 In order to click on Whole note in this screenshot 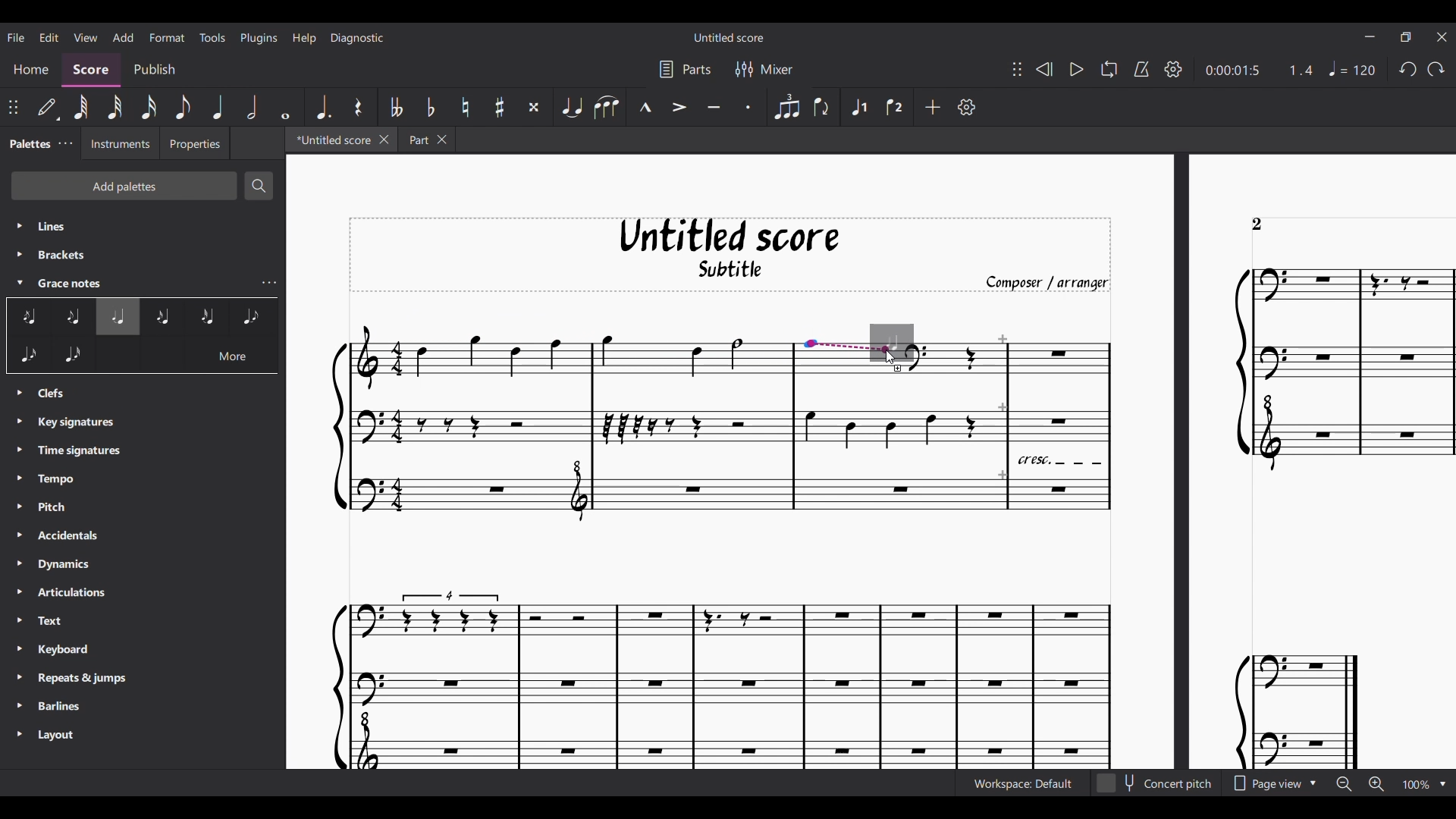, I will do `click(285, 107)`.